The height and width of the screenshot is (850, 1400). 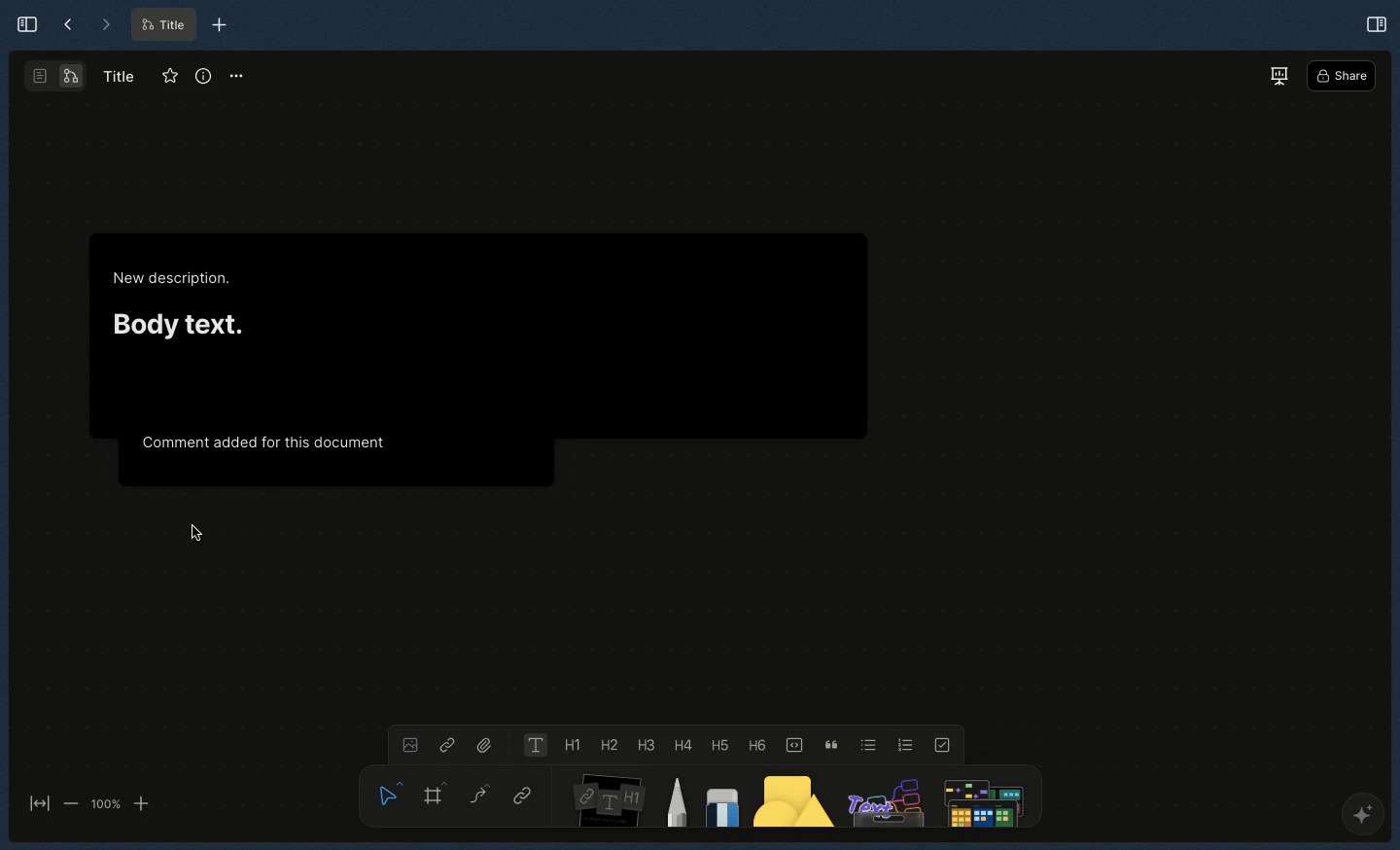 I want to click on zoom in, so click(x=141, y=804).